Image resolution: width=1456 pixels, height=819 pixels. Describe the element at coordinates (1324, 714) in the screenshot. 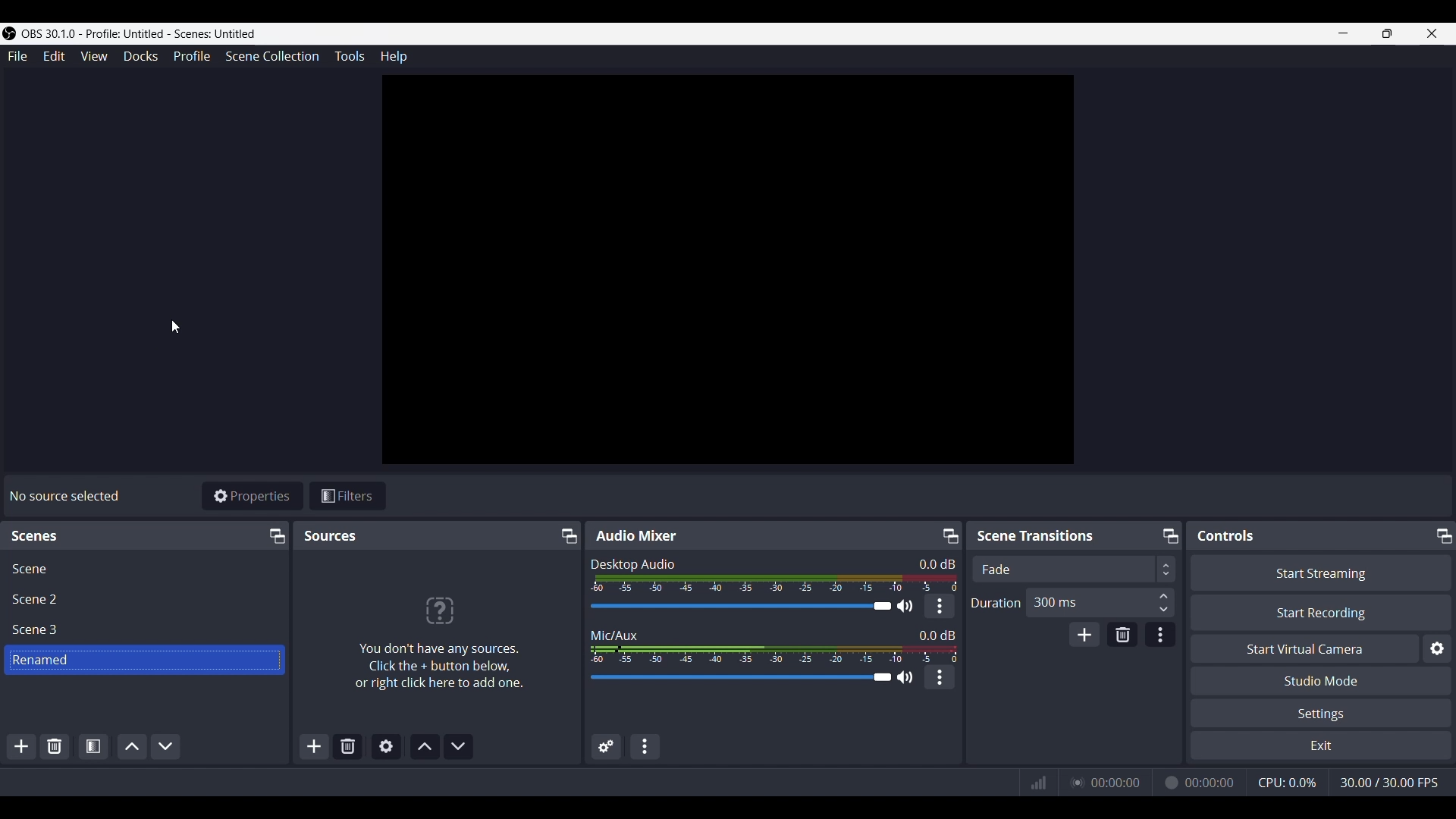

I see `Settings` at that location.